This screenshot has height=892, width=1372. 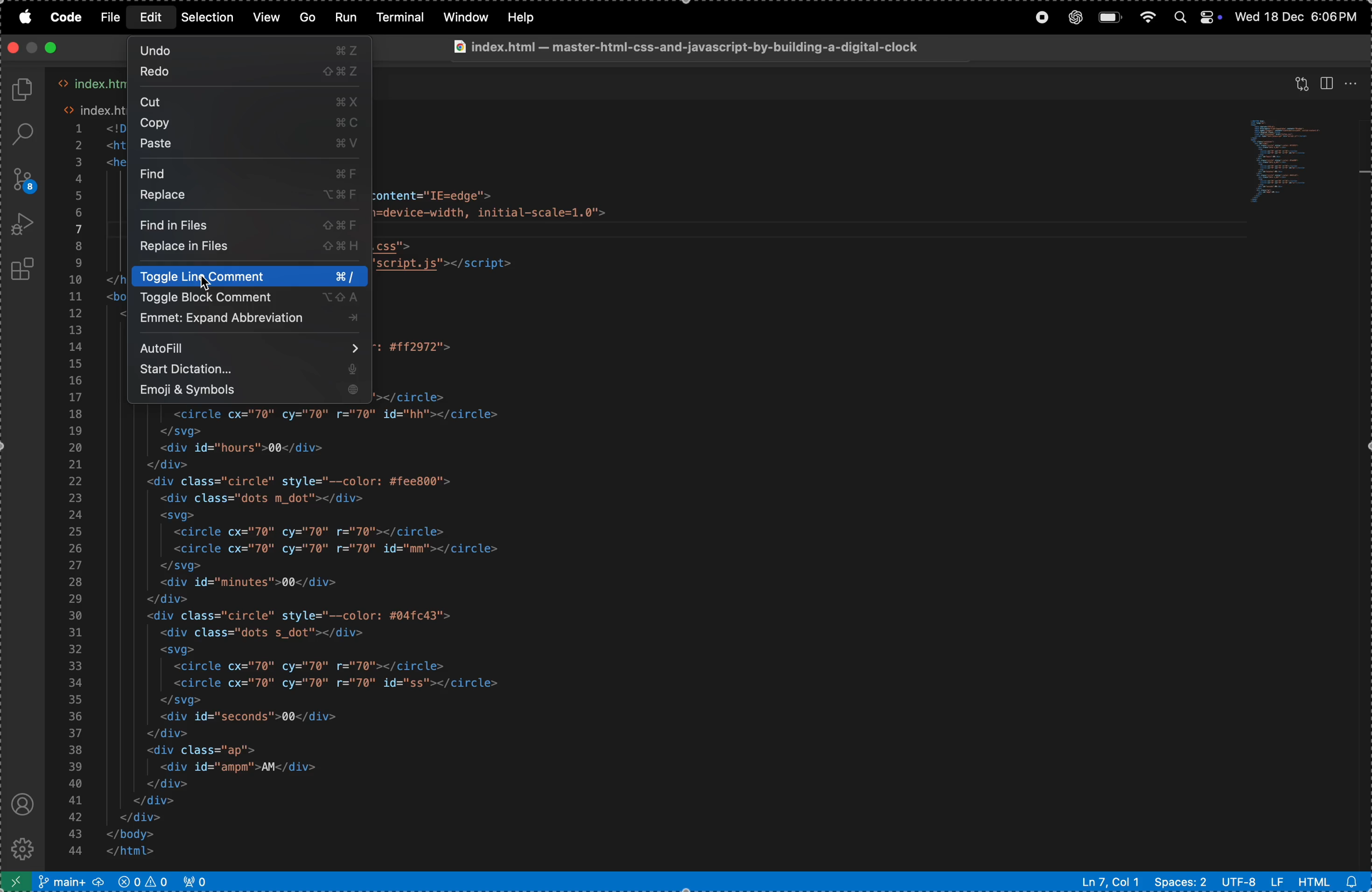 What do you see at coordinates (253, 196) in the screenshot?
I see `replace` at bounding box center [253, 196].